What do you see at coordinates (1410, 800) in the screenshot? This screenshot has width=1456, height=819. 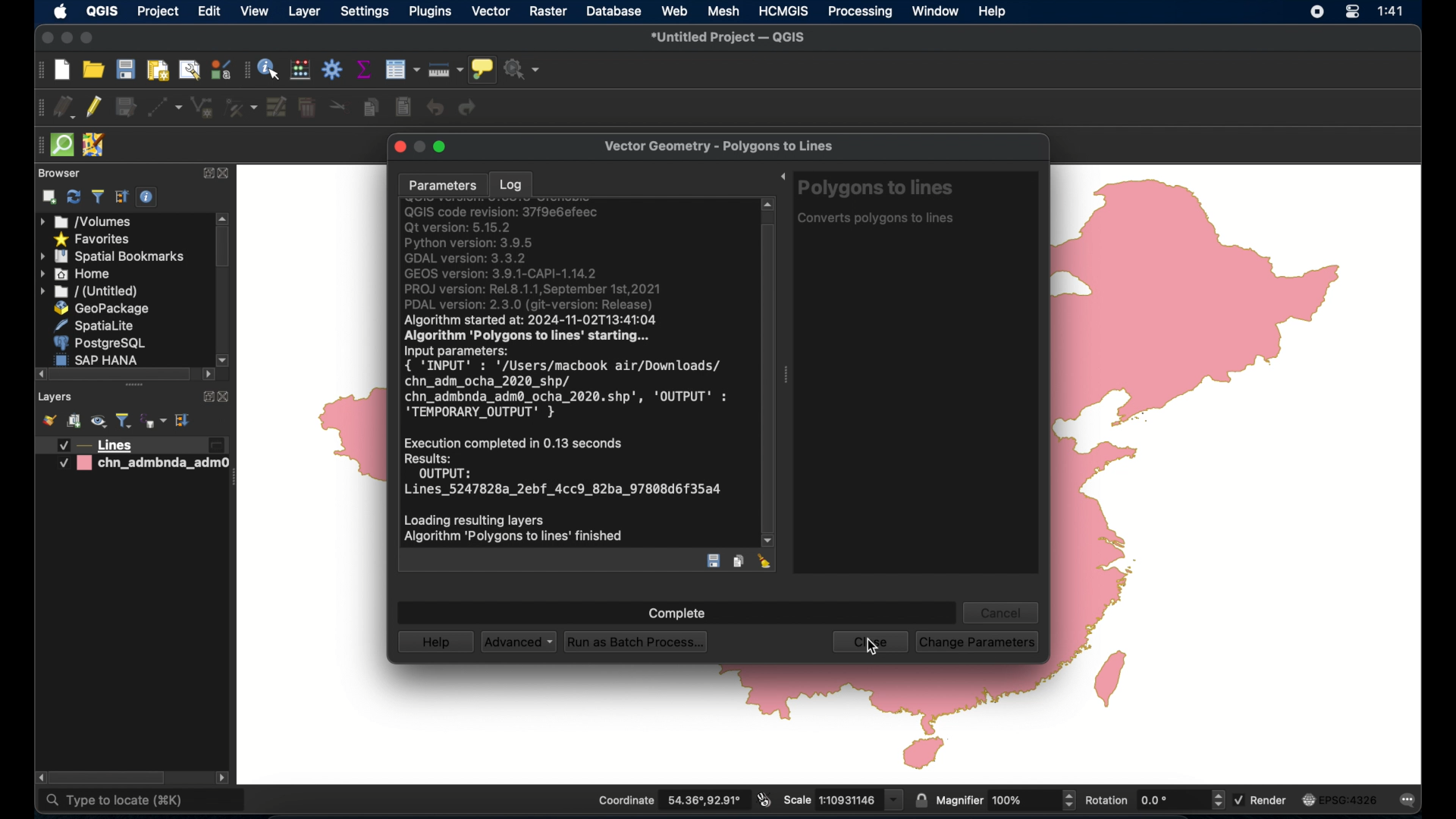 I see `messages` at bounding box center [1410, 800].